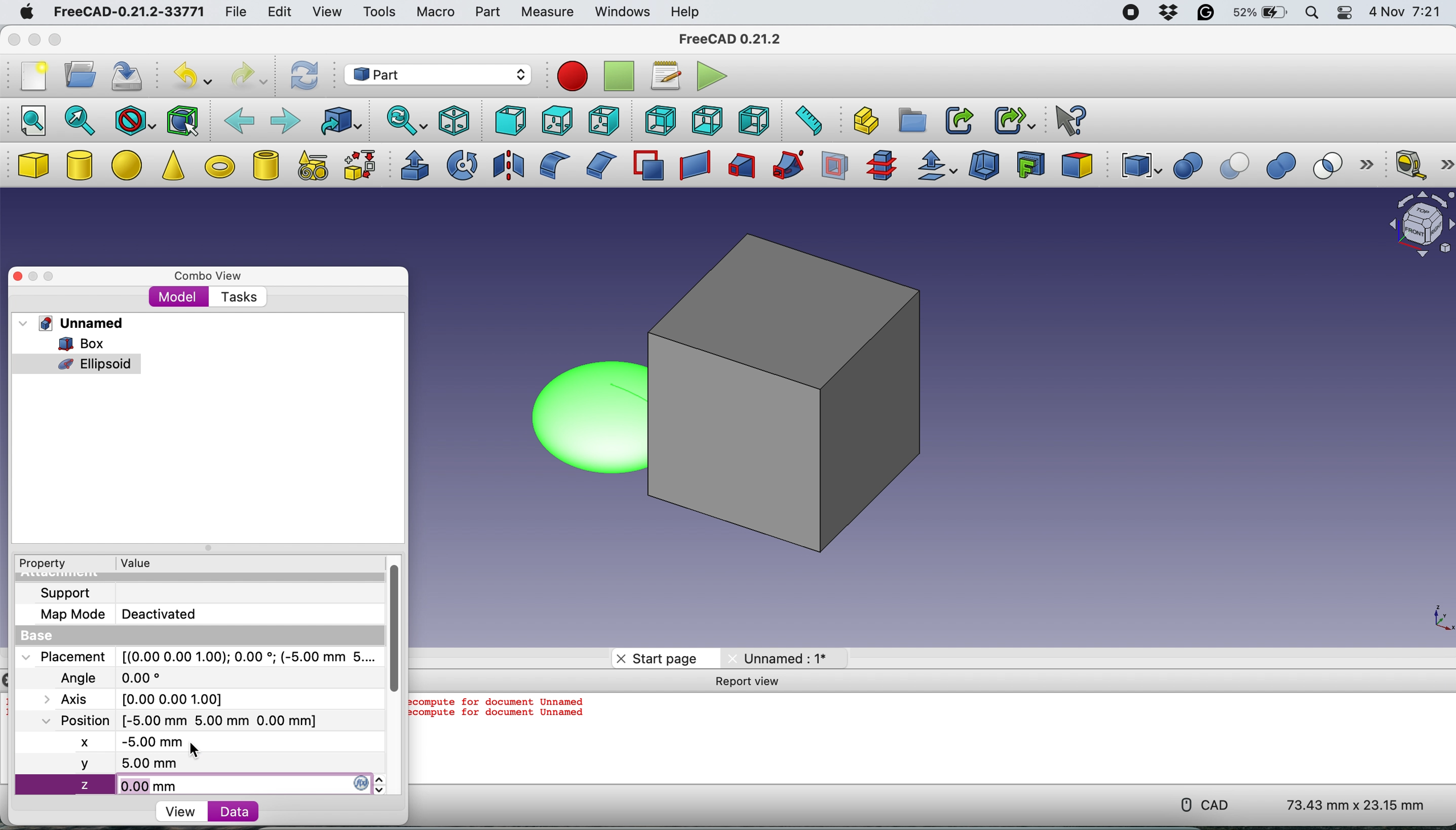 This screenshot has width=1456, height=830. Describe the element at coordinates (1345, 13) in the screenshot. I see `control center` at that location.